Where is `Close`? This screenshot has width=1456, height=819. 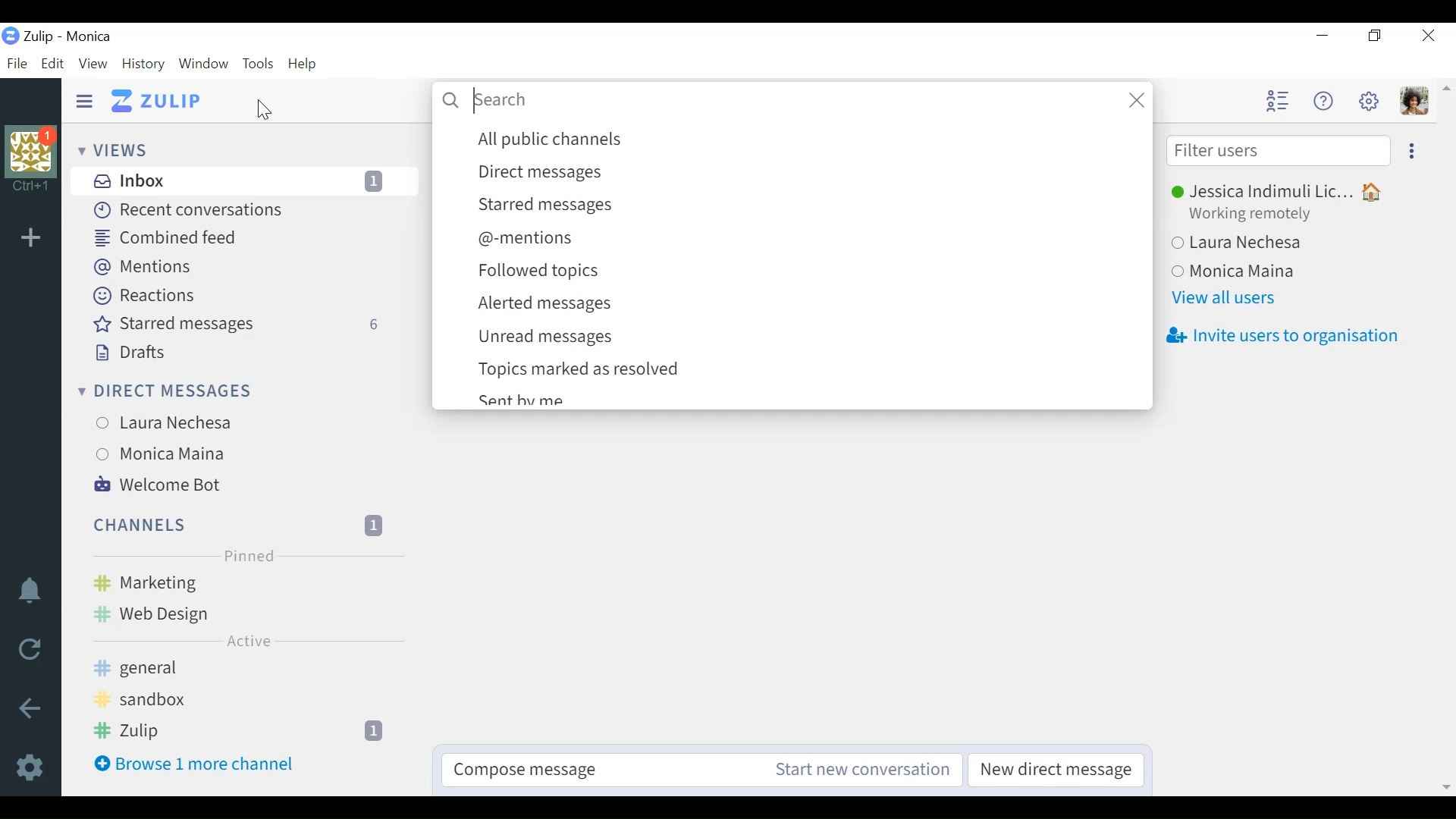 Close is located at coordinates (1426, 35).